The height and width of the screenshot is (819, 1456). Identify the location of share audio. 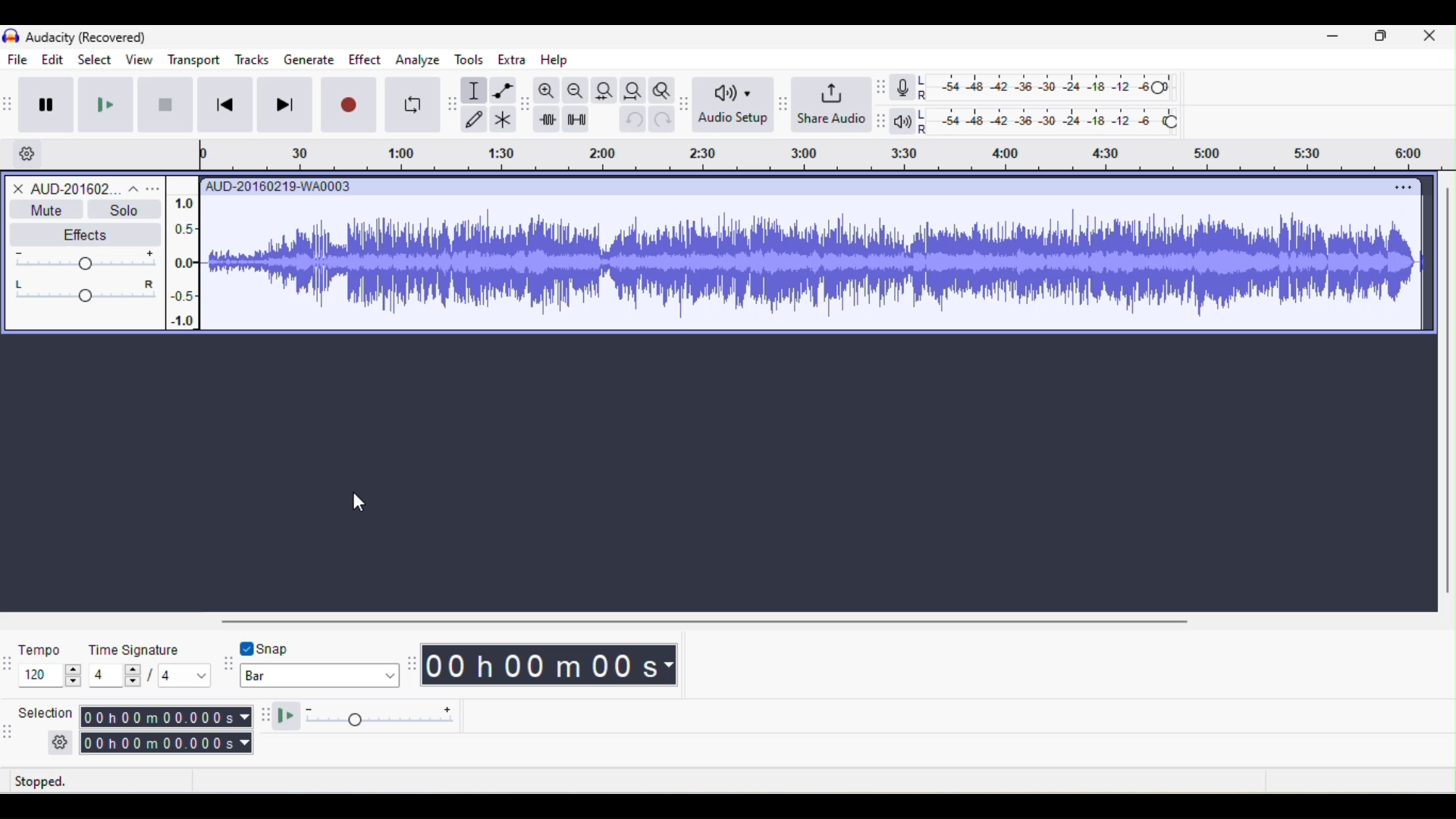
(832, 102).